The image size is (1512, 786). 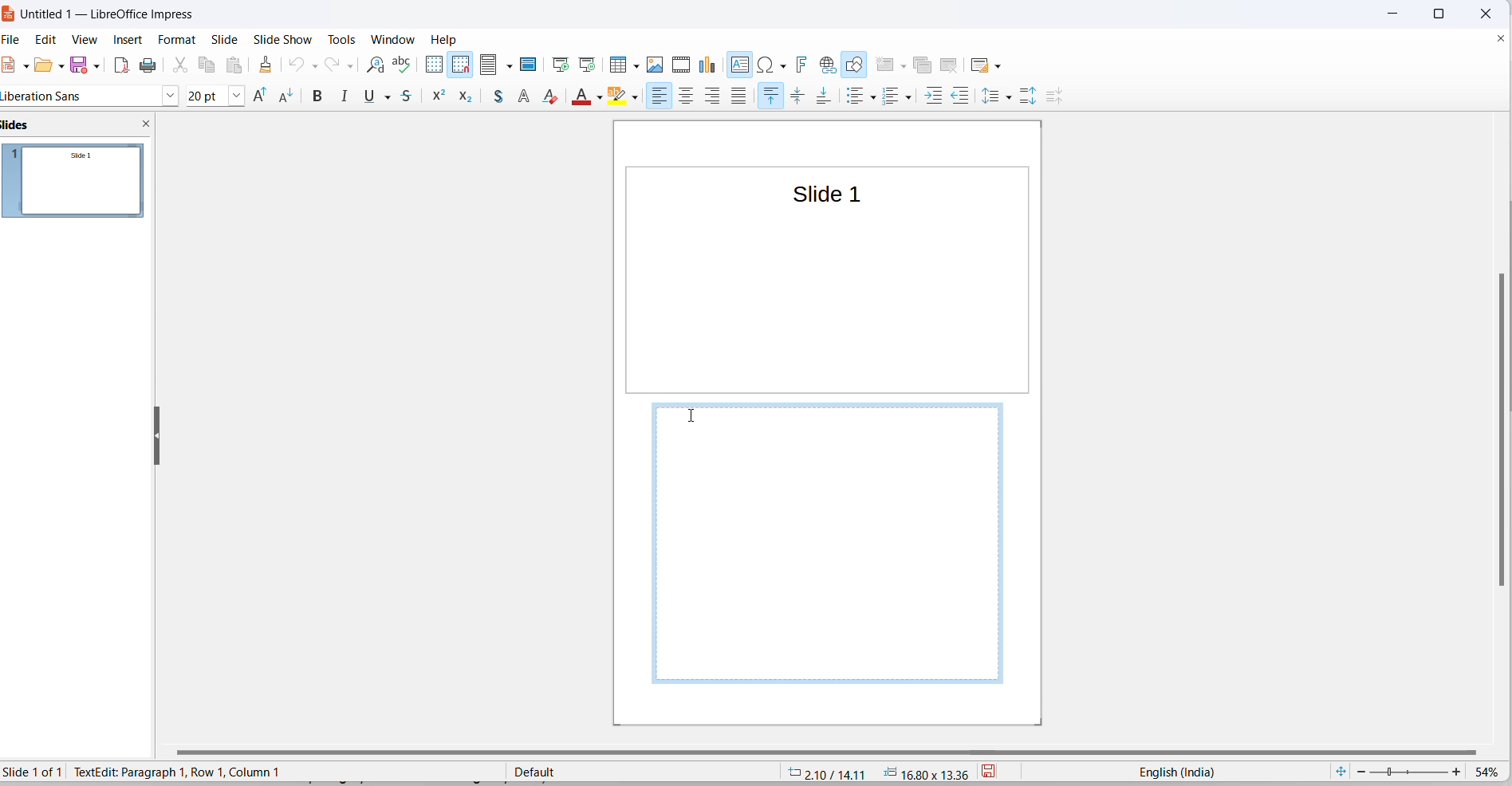 What do you see at coordinates (406, 65) in the screenshot?
I see `spellings ` at bounding box center [406, 65].